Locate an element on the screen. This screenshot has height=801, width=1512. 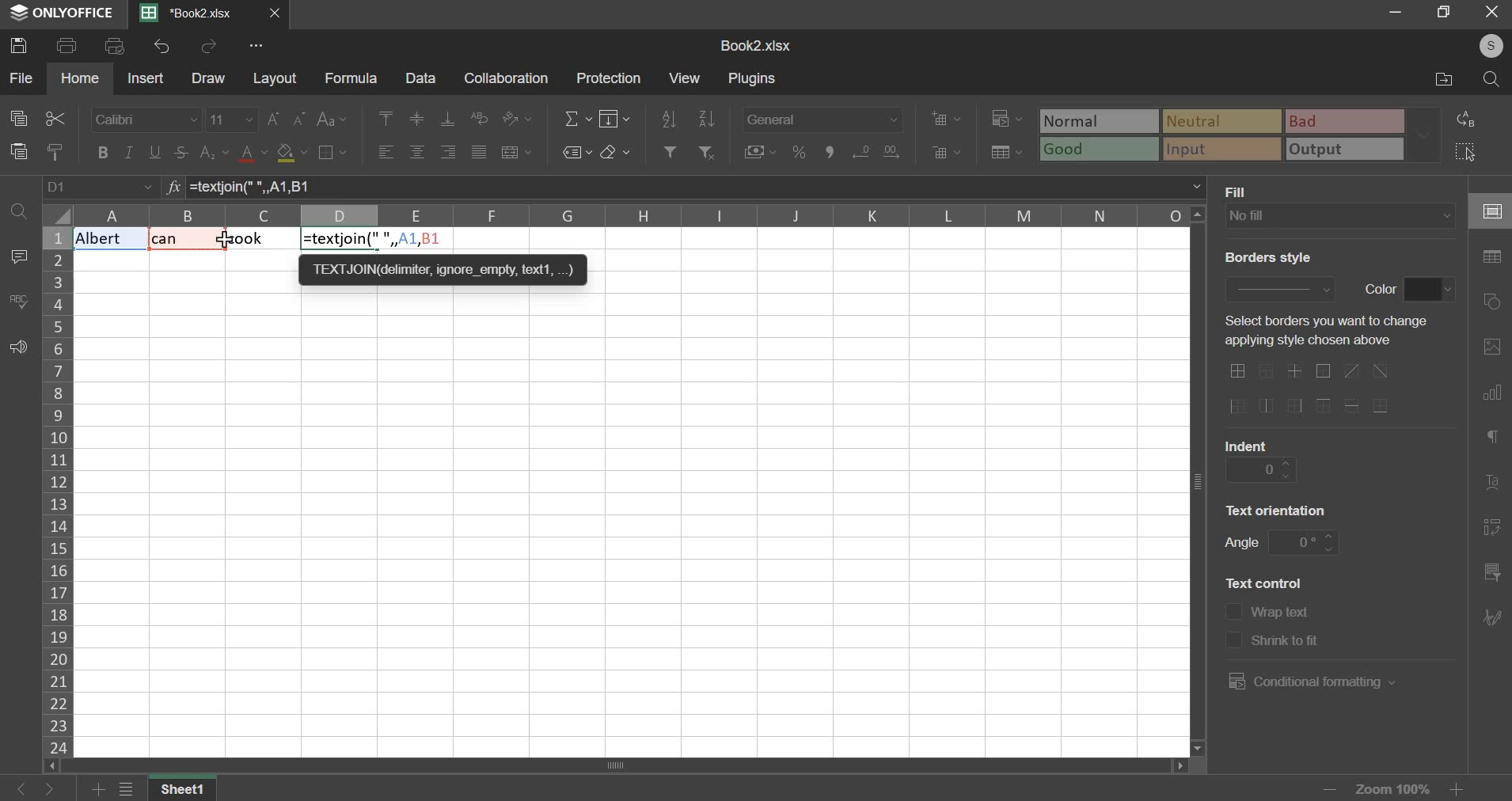
paste is located at coordinates (19, 151).